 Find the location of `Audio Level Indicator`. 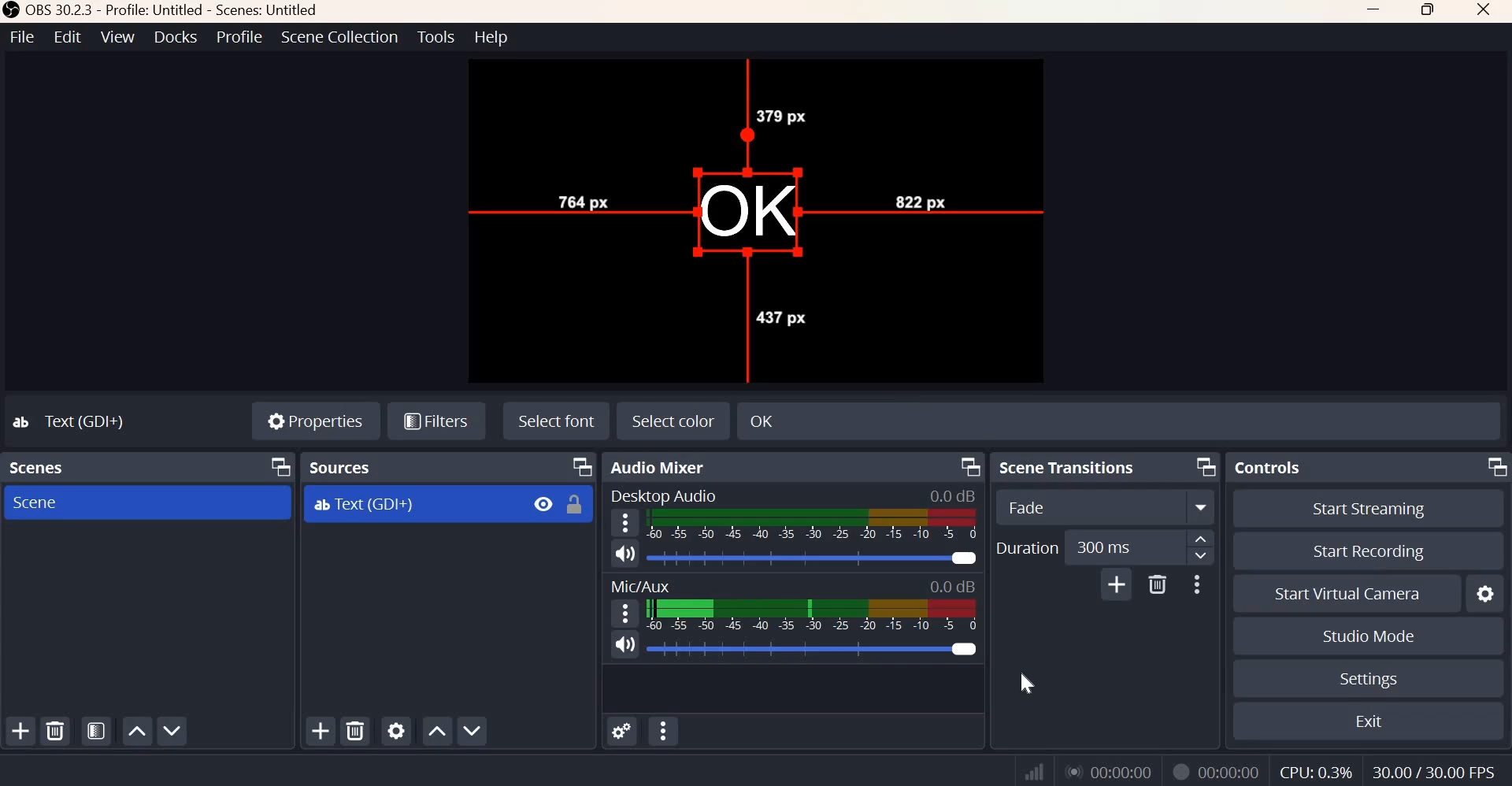

Audio Level Indicator is located at coordinates (951, 495).